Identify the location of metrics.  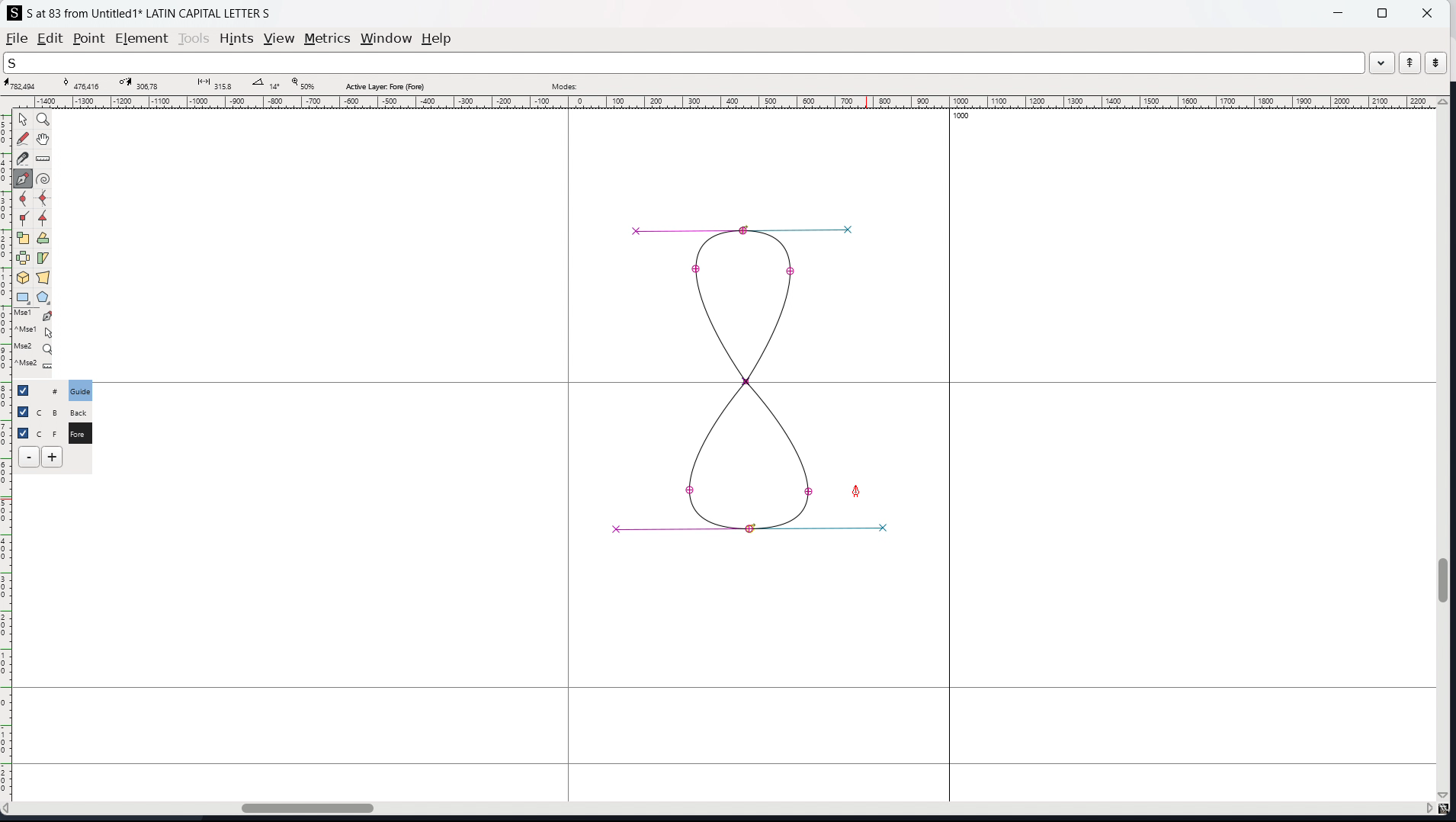
(327, 38).